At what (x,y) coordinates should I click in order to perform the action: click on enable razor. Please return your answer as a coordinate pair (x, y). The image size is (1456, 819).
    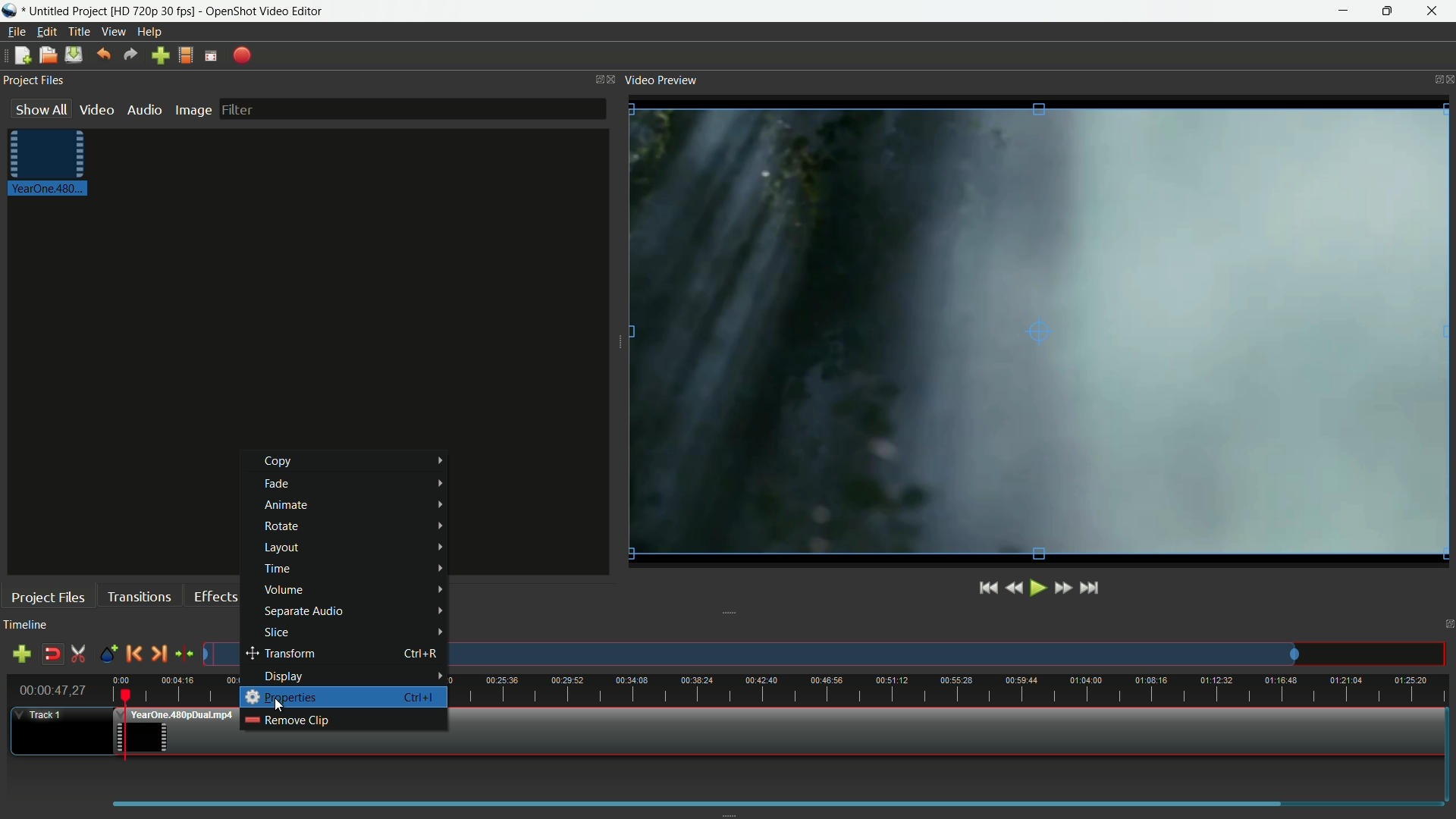
    Looking at the image, I should click on (77, 654).